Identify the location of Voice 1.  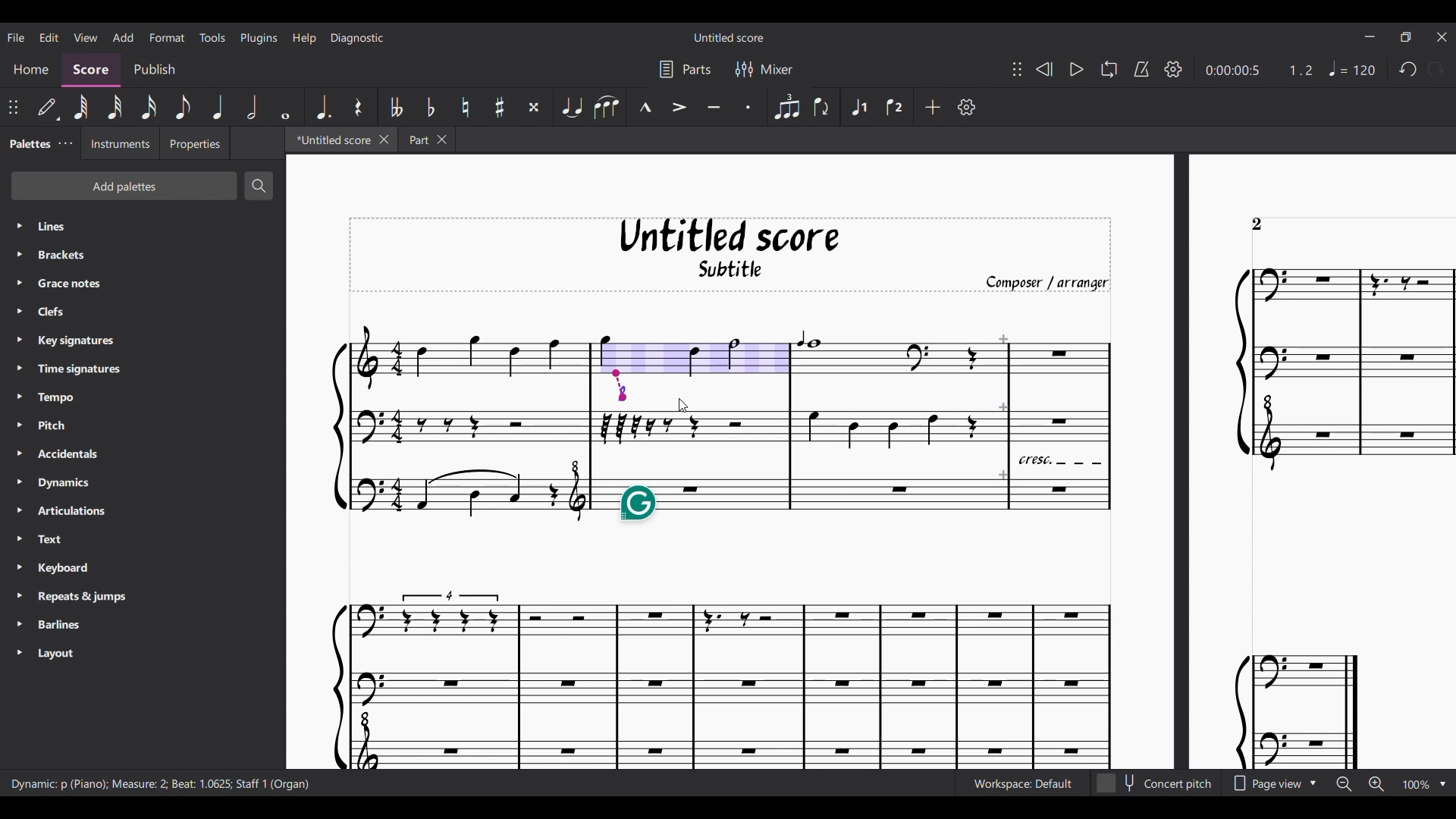
(857, 107).